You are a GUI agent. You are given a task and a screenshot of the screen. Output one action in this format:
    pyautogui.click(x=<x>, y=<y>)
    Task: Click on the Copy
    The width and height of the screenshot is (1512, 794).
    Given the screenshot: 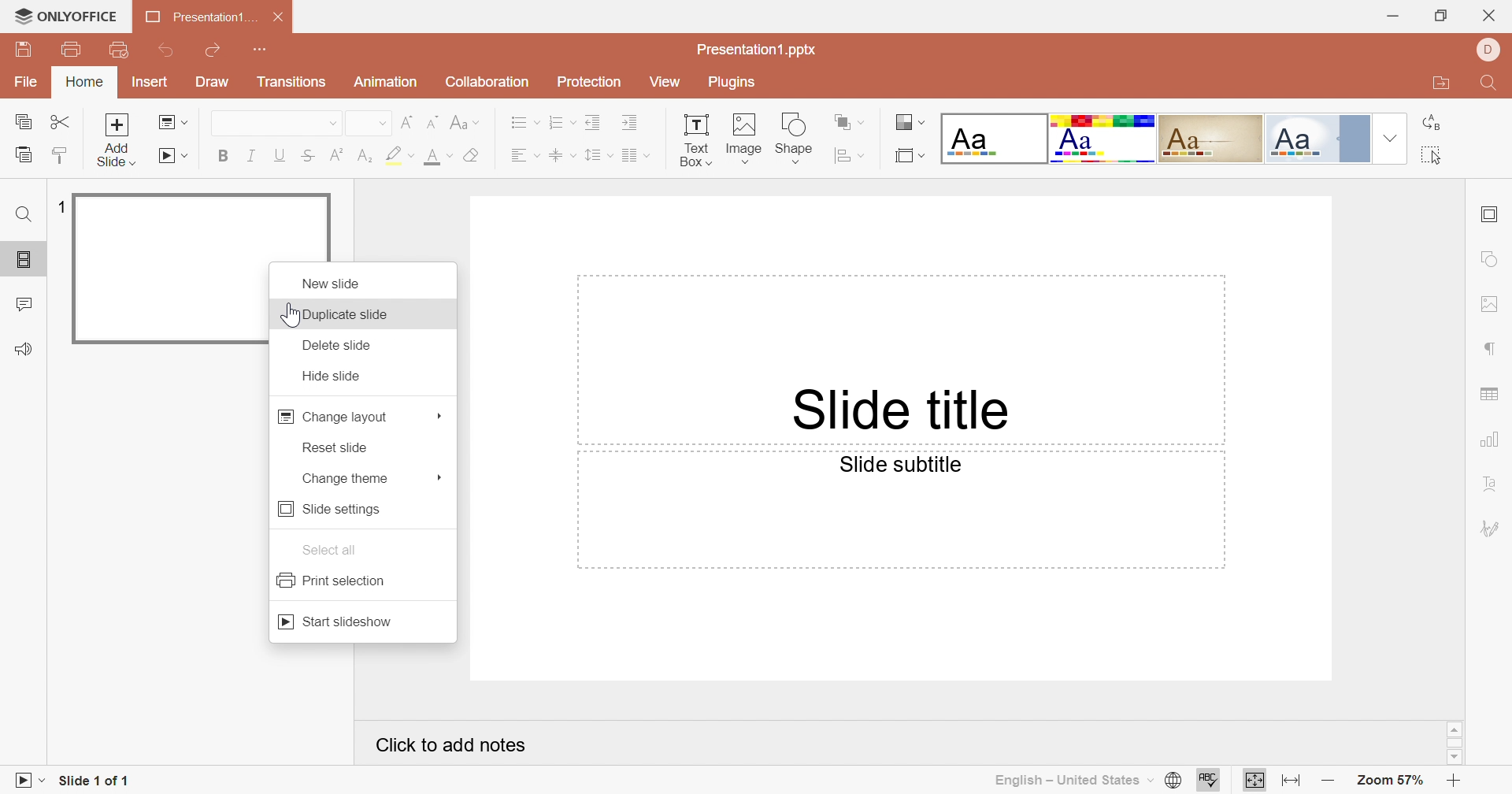 What is the action you would take?
    pyautogui.click(x=24, y=120)
    